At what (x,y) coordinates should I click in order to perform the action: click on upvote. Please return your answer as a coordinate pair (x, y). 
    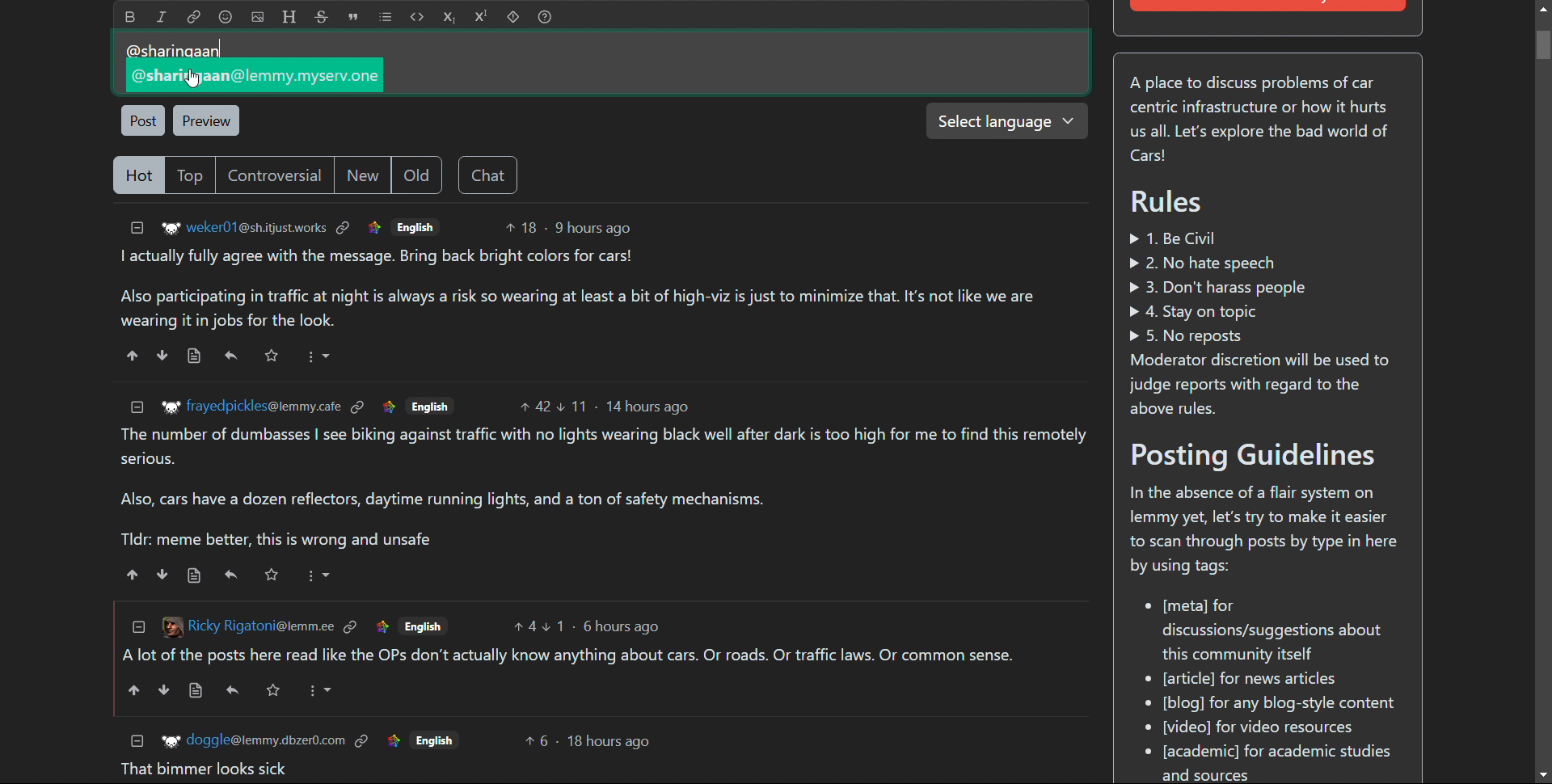
    Looking at the image, I should click on (132, 690).